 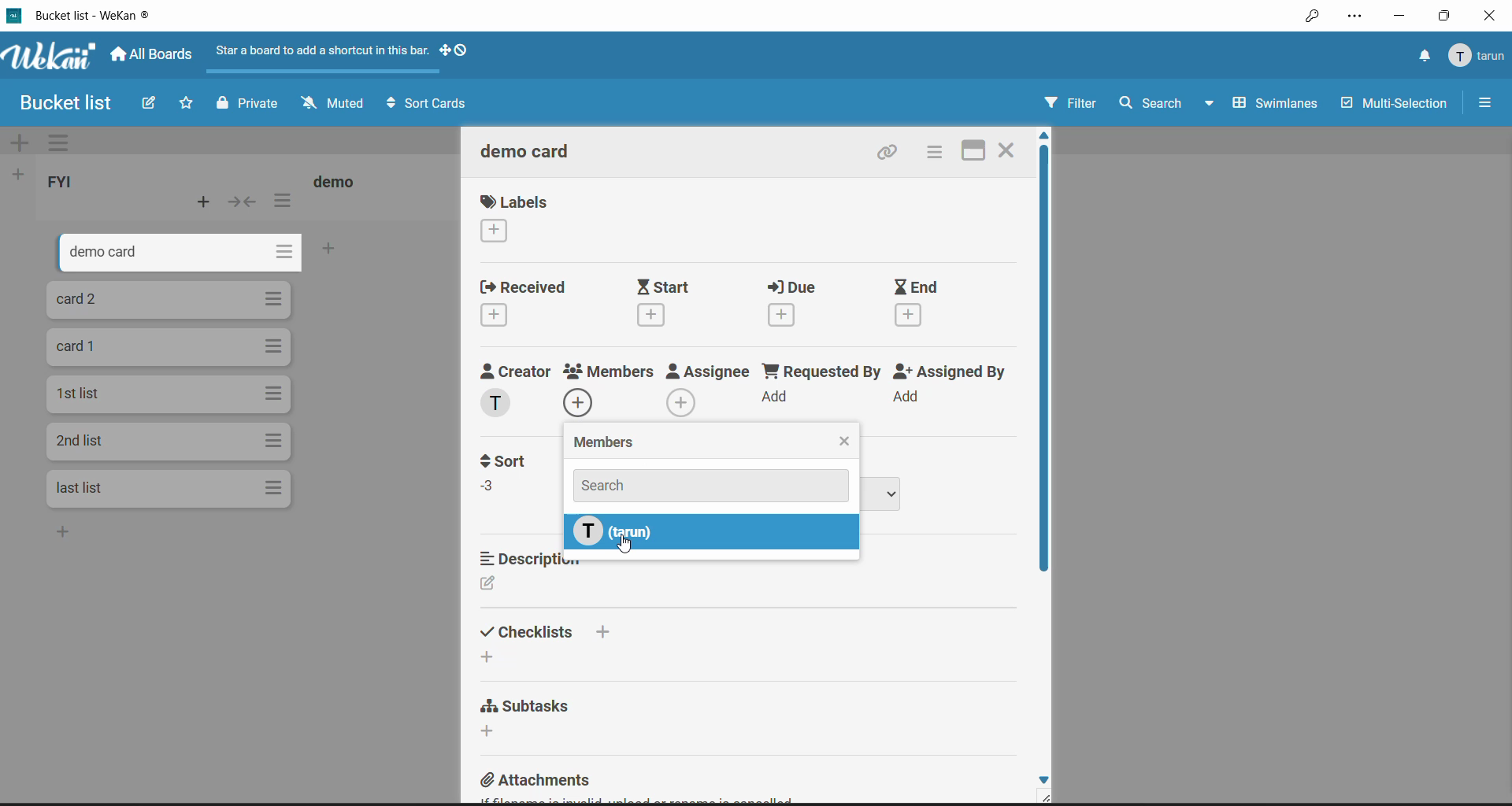 What do you see at coordinates (496, 232) in the screenshot?
I see `change label` at bounding box center [496, 232].